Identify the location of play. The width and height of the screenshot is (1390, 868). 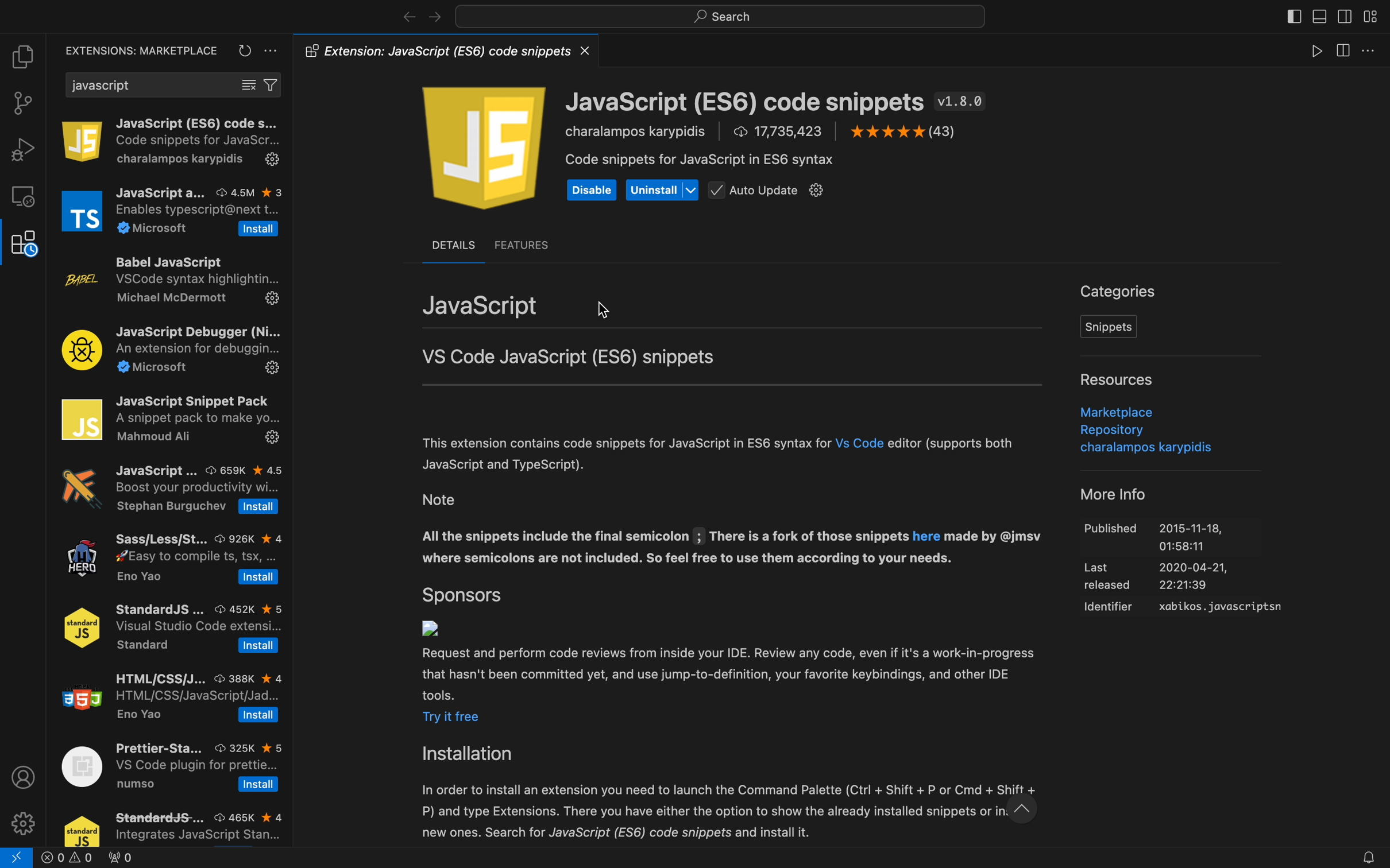
(1314, 52).